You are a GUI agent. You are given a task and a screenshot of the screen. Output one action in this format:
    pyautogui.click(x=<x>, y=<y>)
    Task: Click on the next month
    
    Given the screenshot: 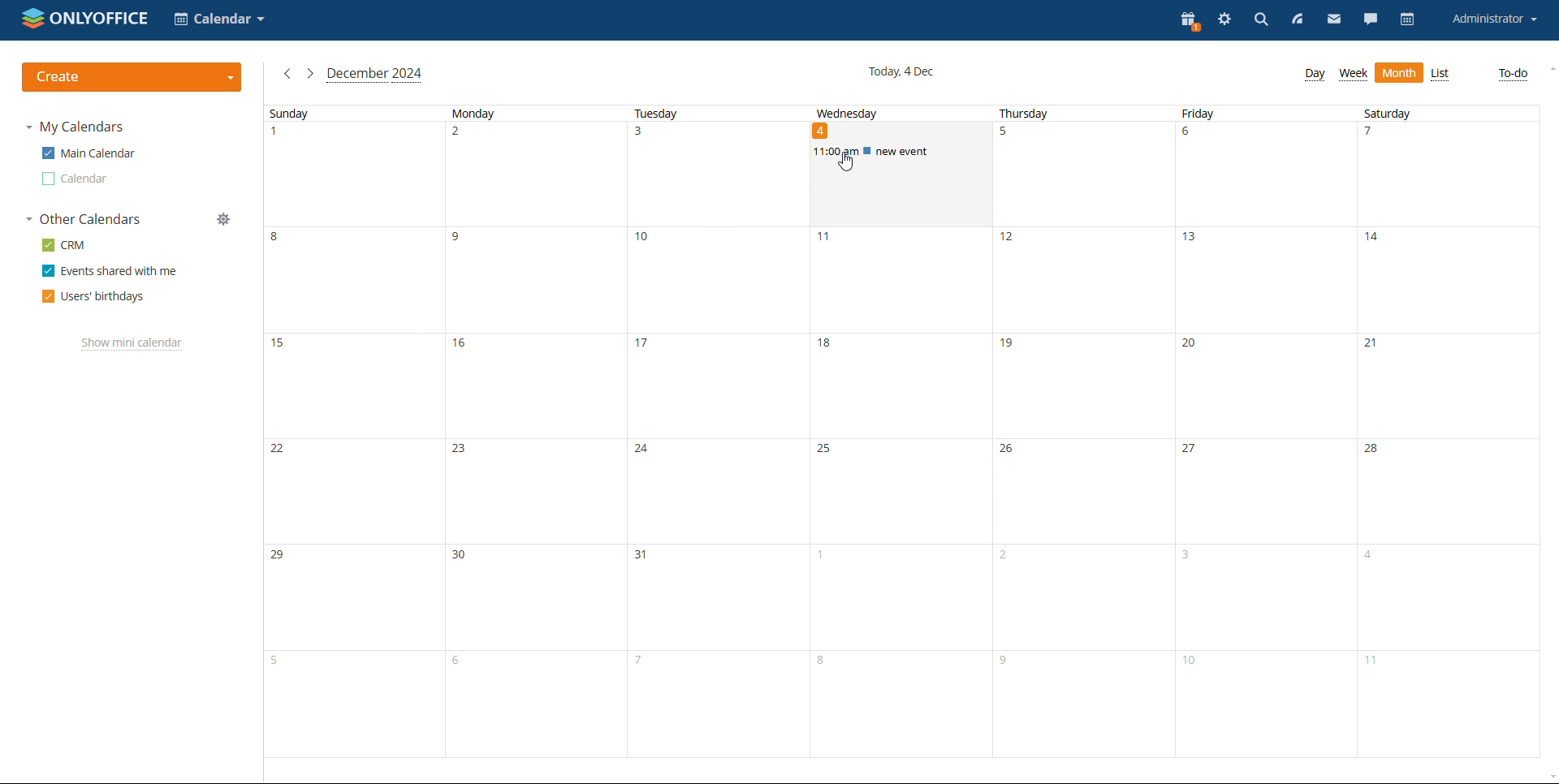 What is the action you would take?
    pyautogui.click(x=310, y=74)
    